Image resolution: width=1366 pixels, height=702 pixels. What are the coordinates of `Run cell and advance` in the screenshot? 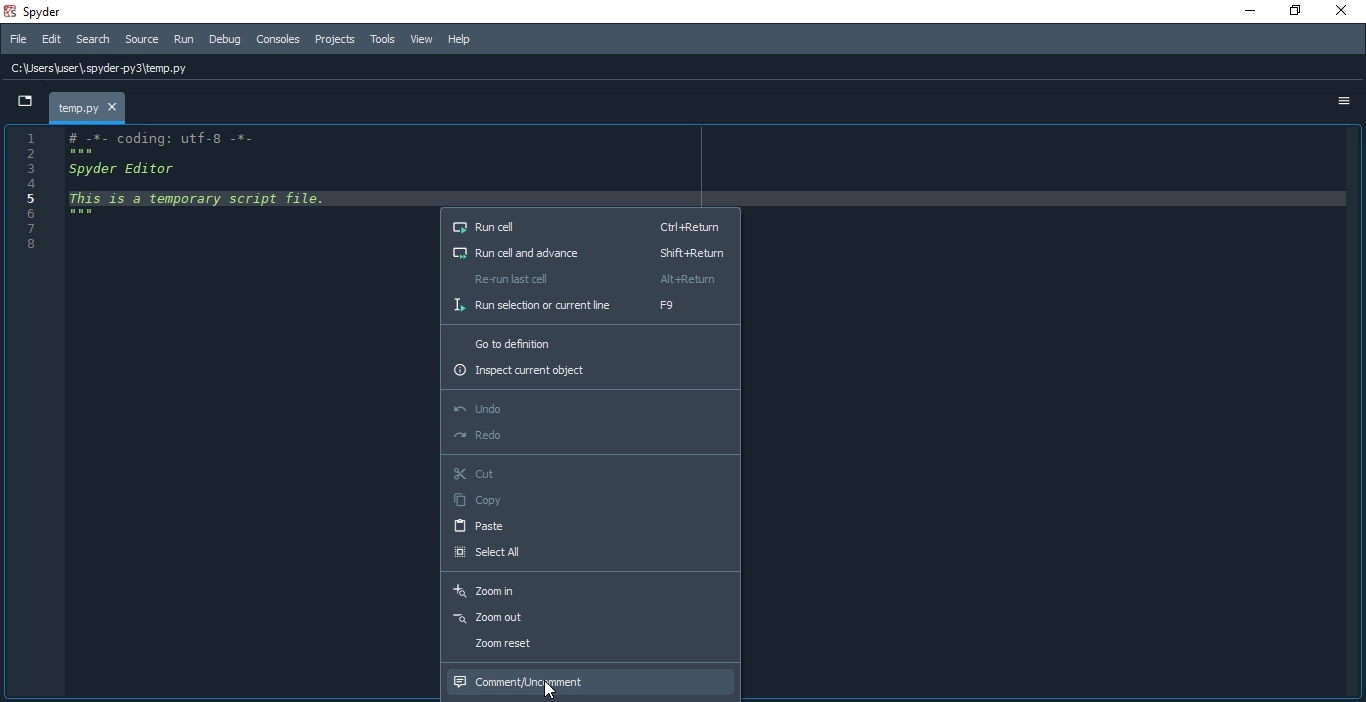 It's located at (588, 253).